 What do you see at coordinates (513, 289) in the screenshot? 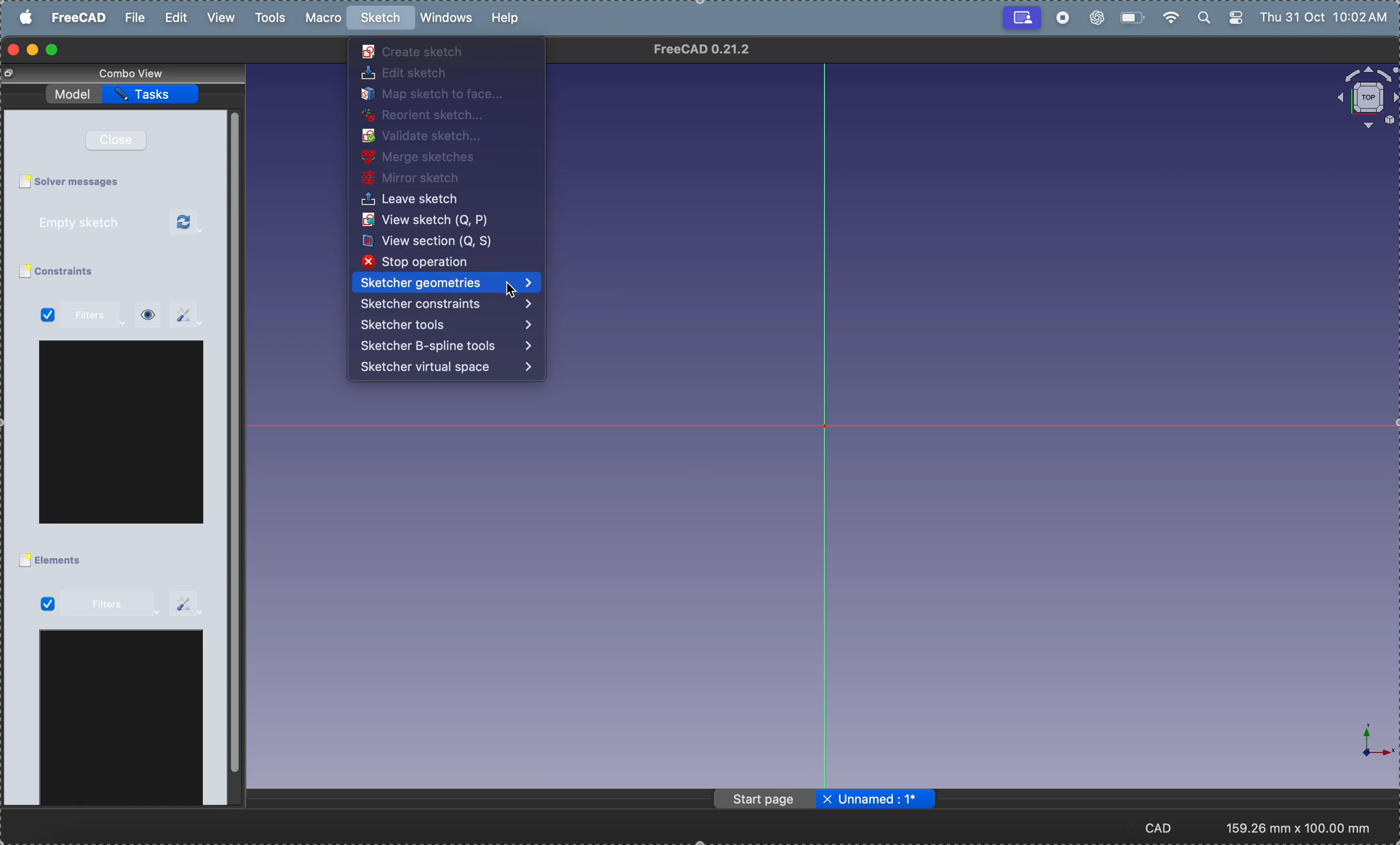
I see `Cursor` at bounding box center [513, 289].